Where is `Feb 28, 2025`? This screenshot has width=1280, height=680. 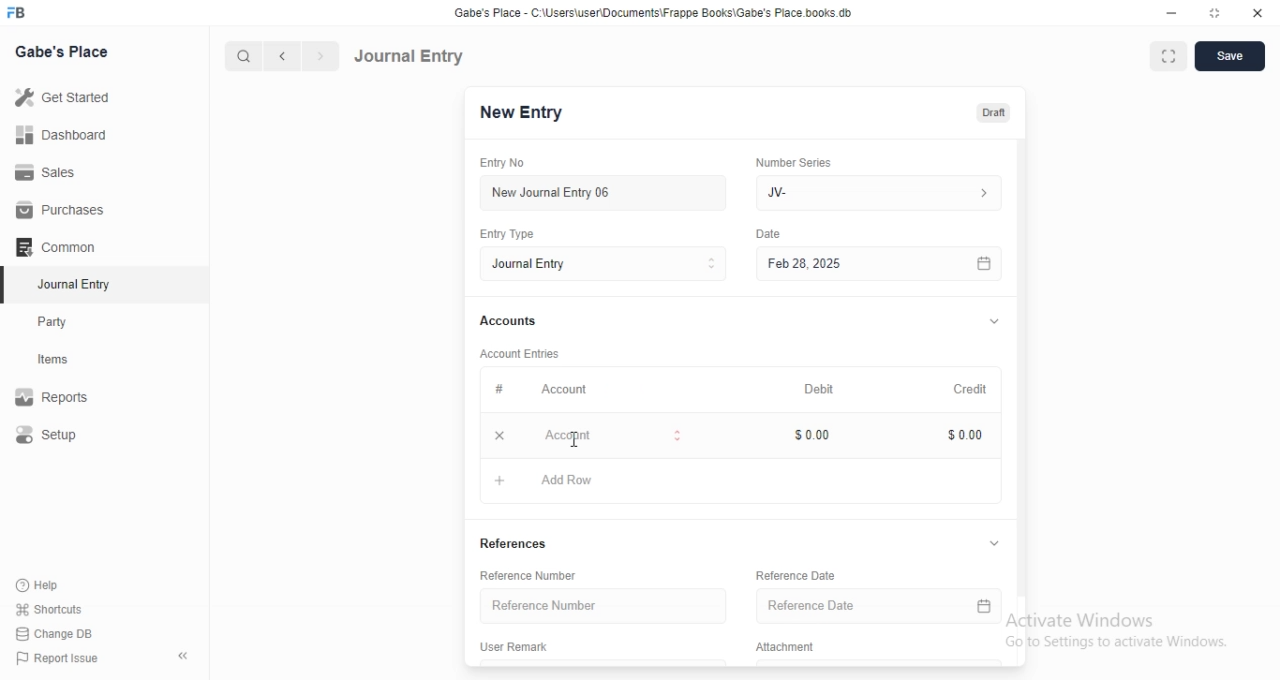
Feb 28, 2025 is located at coordinates (860, 263).